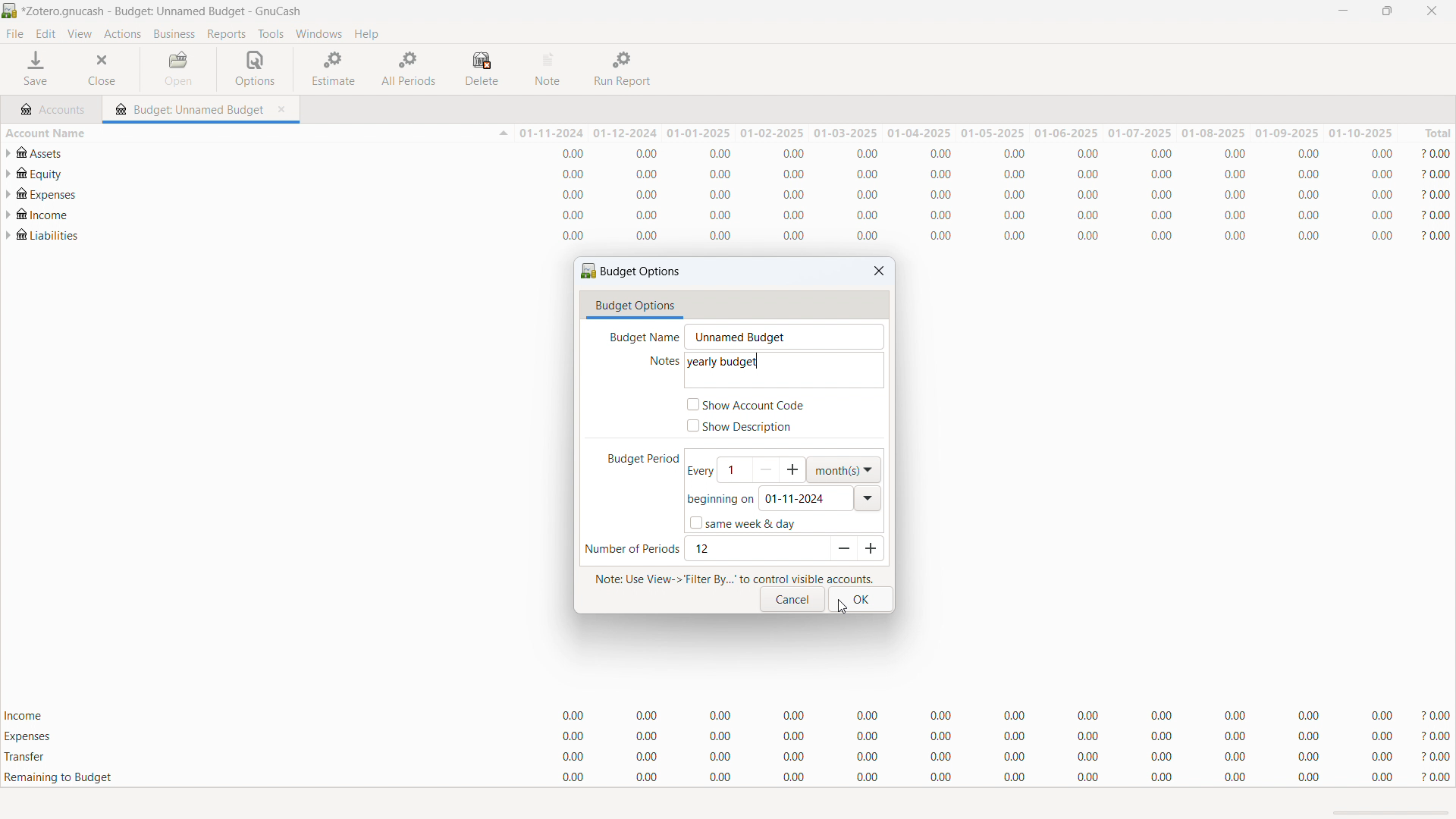 This screenshot has height=819, width=1456. I want to click on 01-01-2025, so click(700, 132).